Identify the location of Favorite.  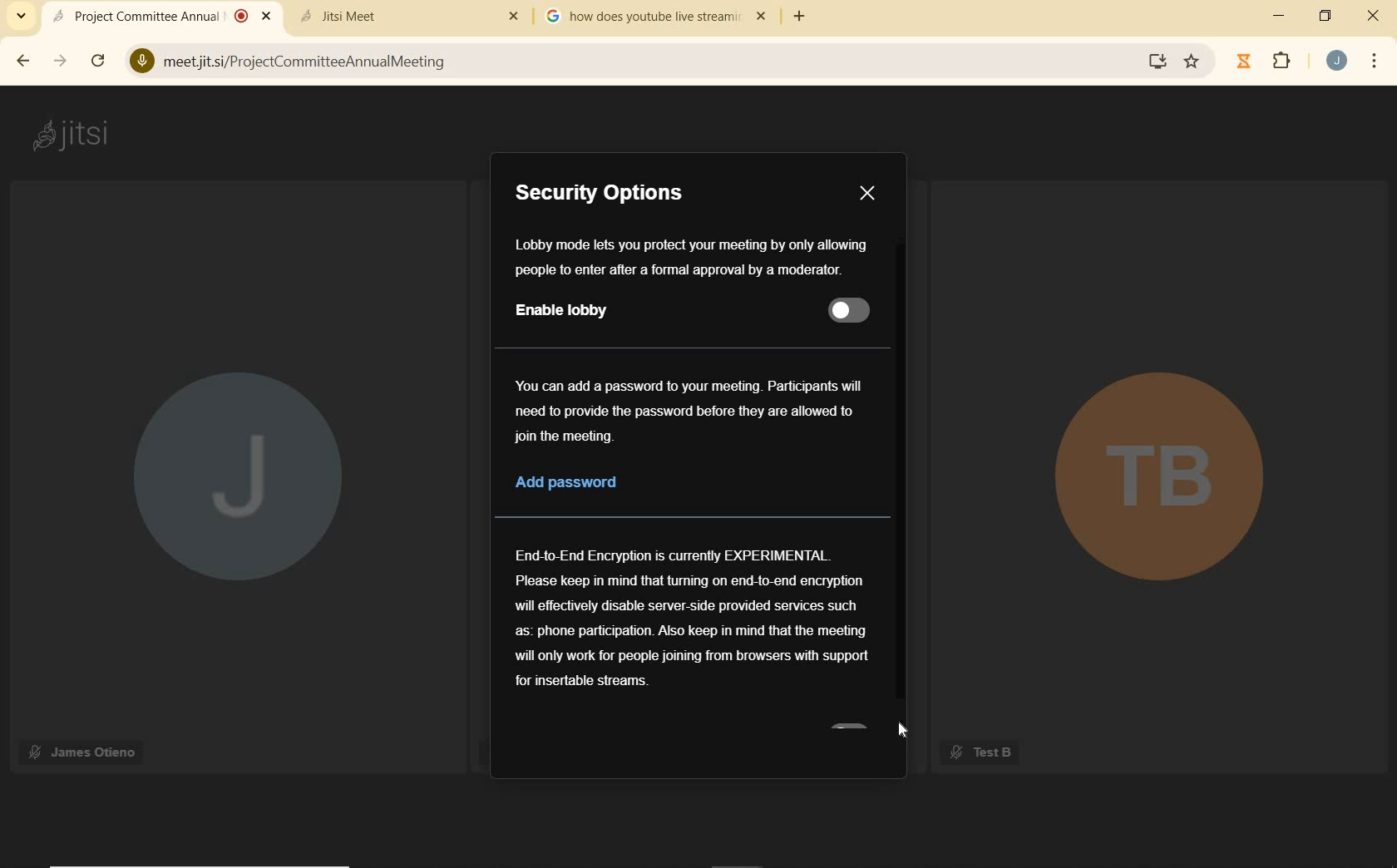
(1192, 57).